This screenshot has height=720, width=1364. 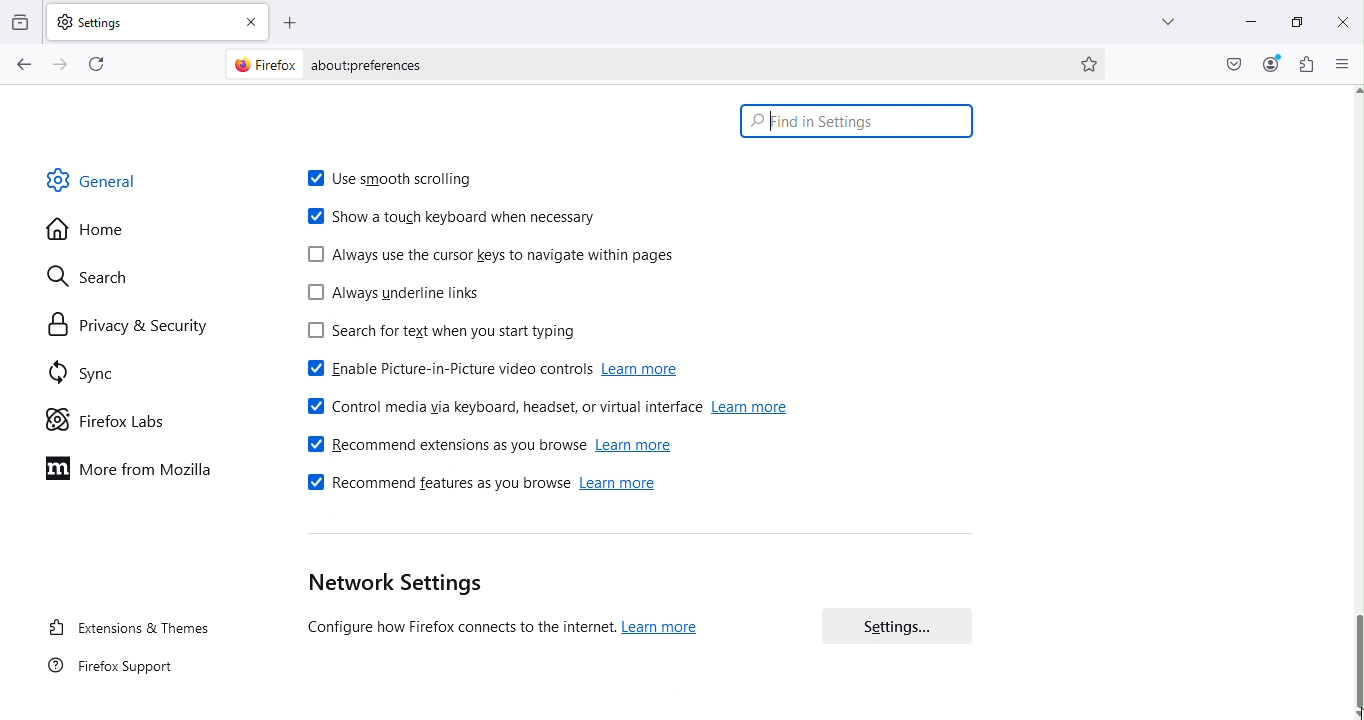 What do you see at coordinates (1355, 715) in the screenshot?
I see `move down` at bounding box center [1355, 715].